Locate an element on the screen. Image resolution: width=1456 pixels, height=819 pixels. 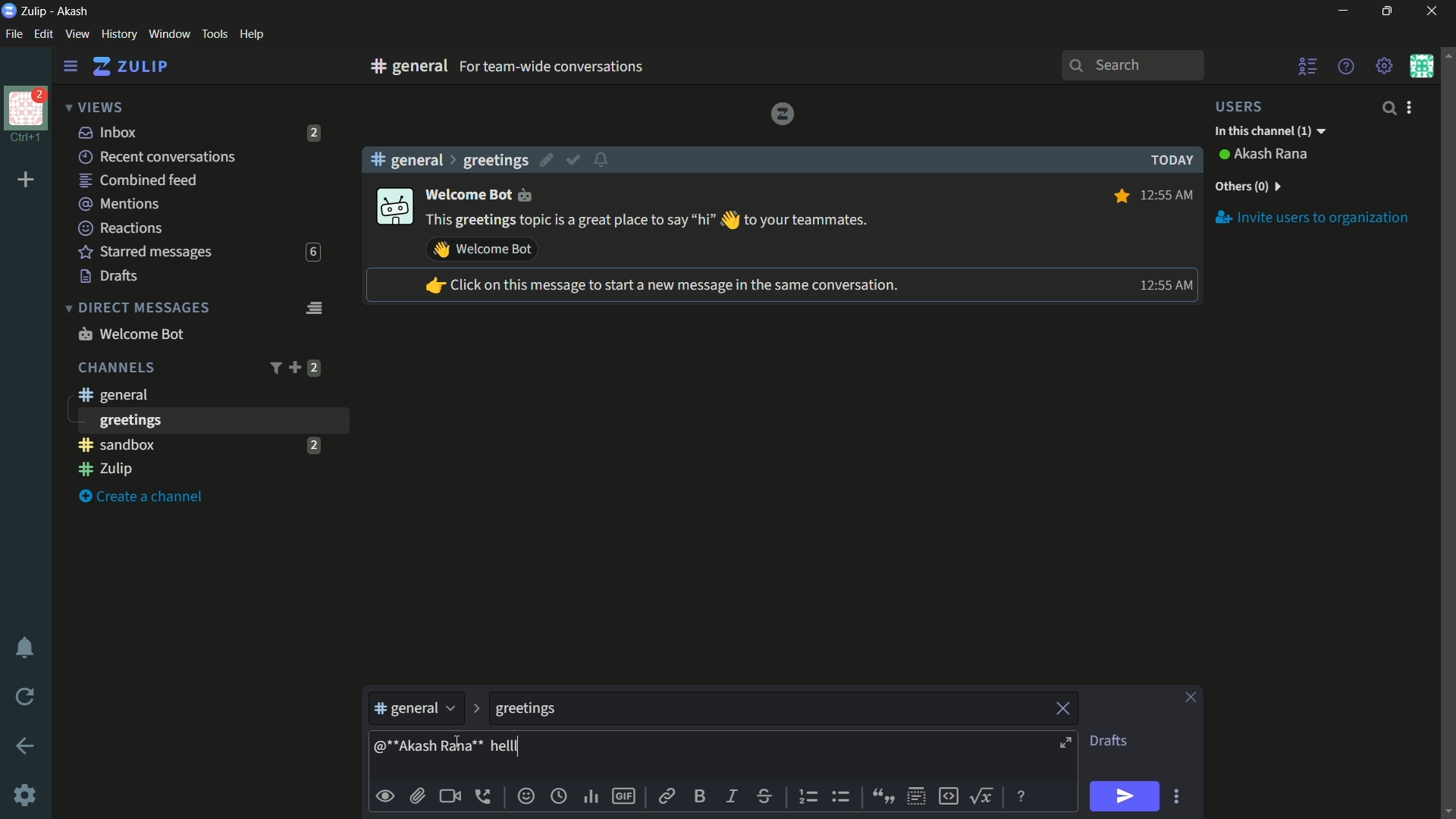
drafts is located at coordinates (109, 276).